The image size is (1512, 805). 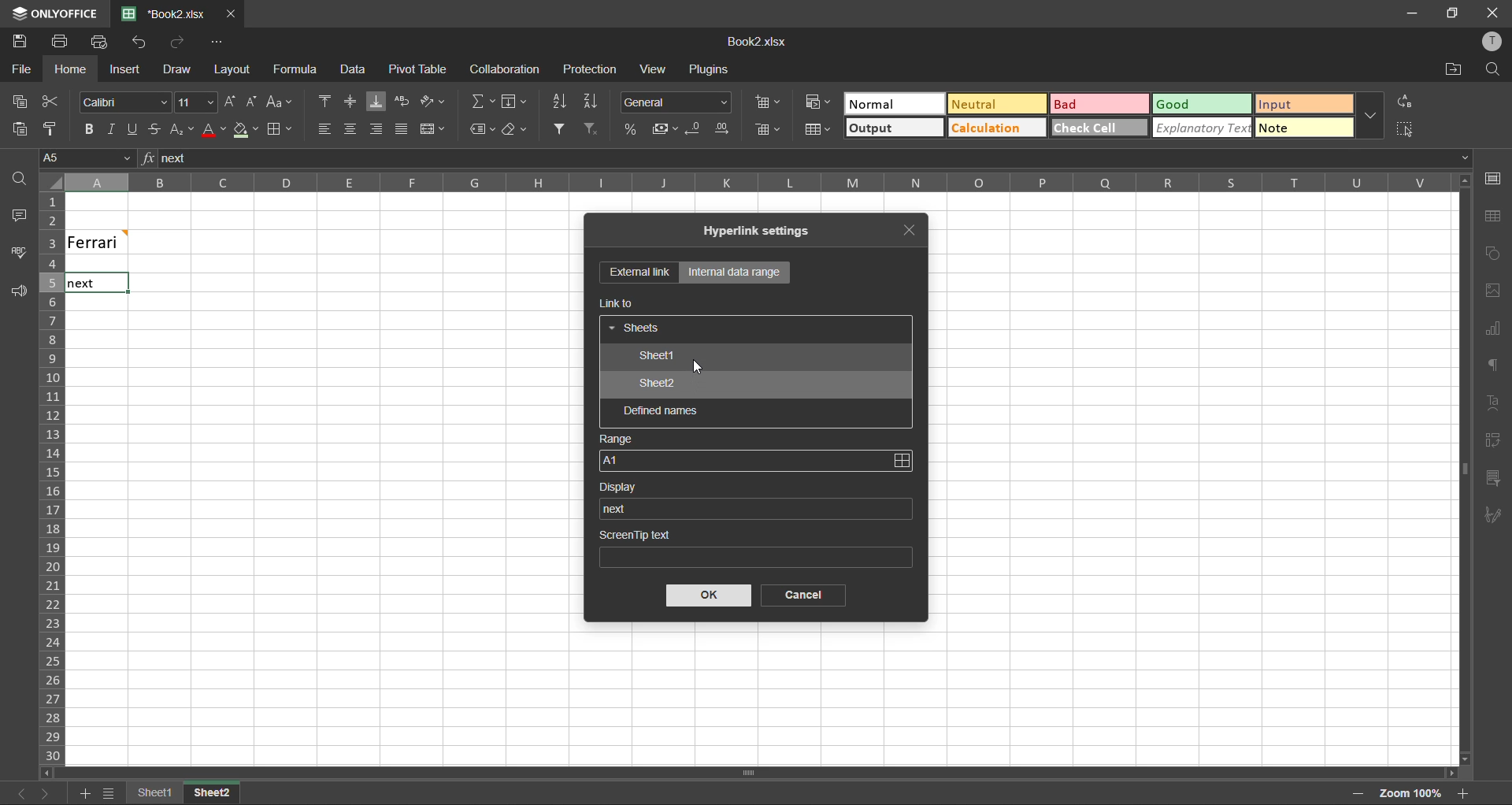 I want to click on format as table, so click(x=815, y=130).